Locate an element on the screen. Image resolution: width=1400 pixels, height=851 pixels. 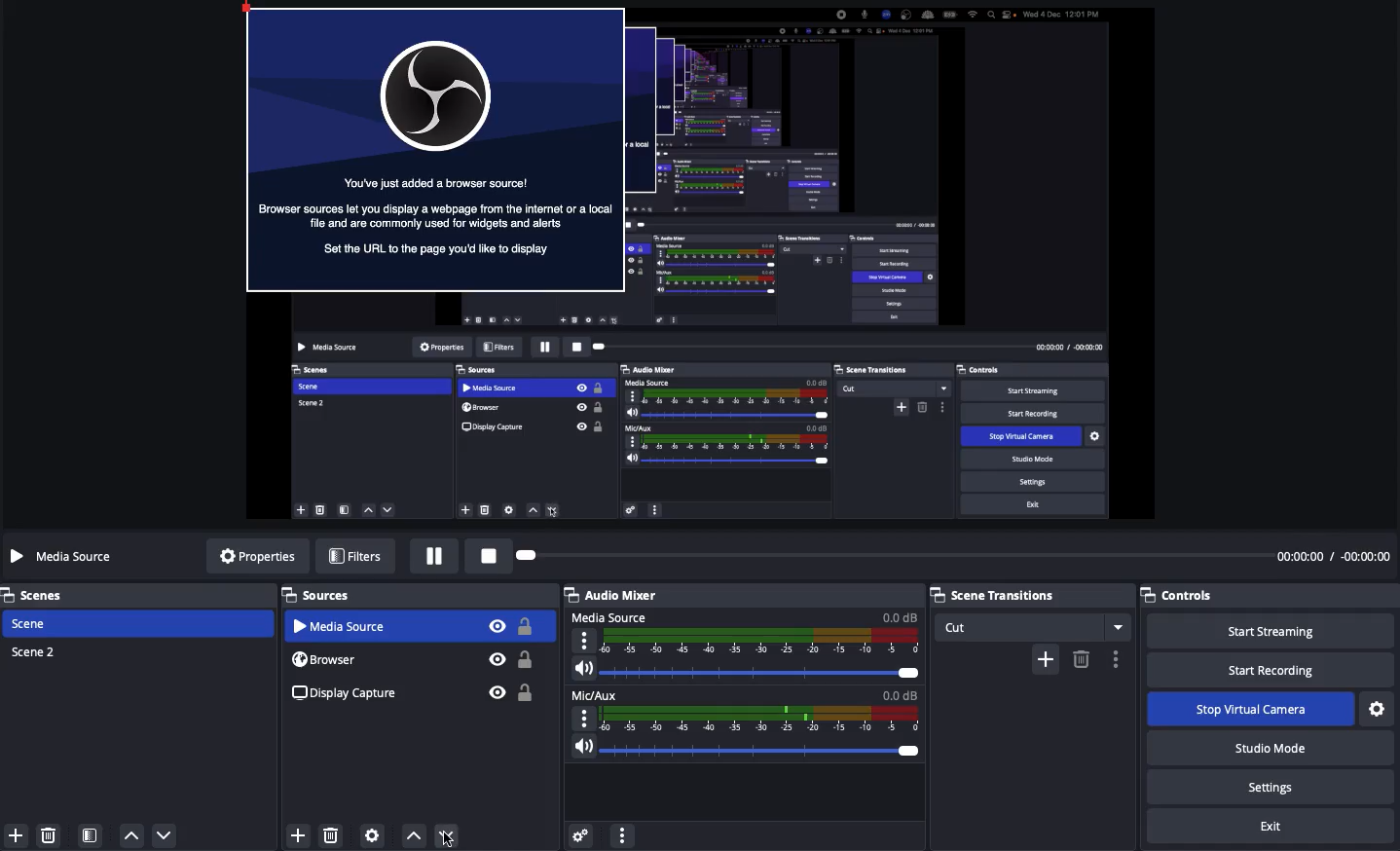
Move up is located at coordinates (418, 836).